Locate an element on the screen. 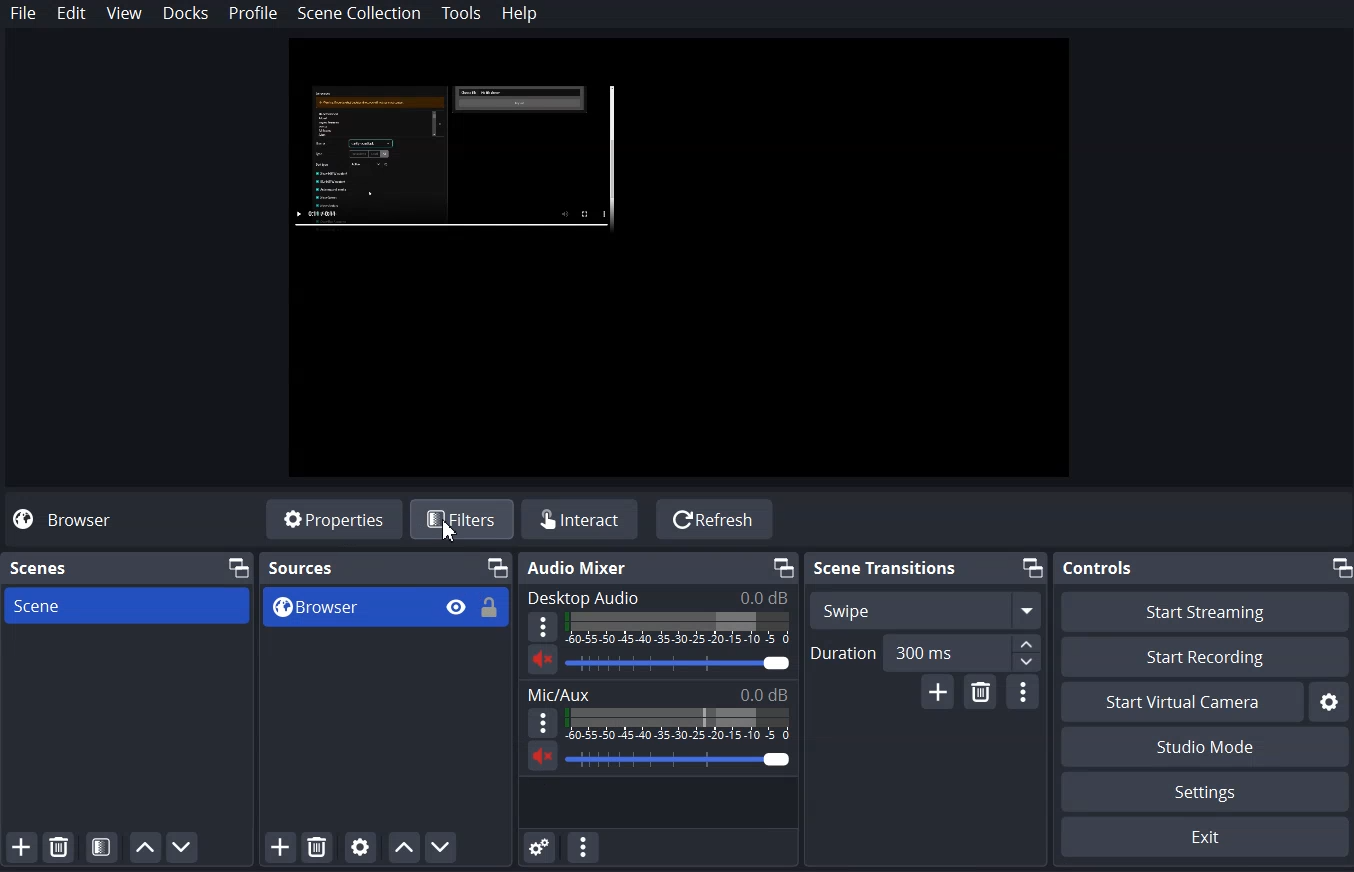  Transition Properties is located at coordinates (1022, 692).